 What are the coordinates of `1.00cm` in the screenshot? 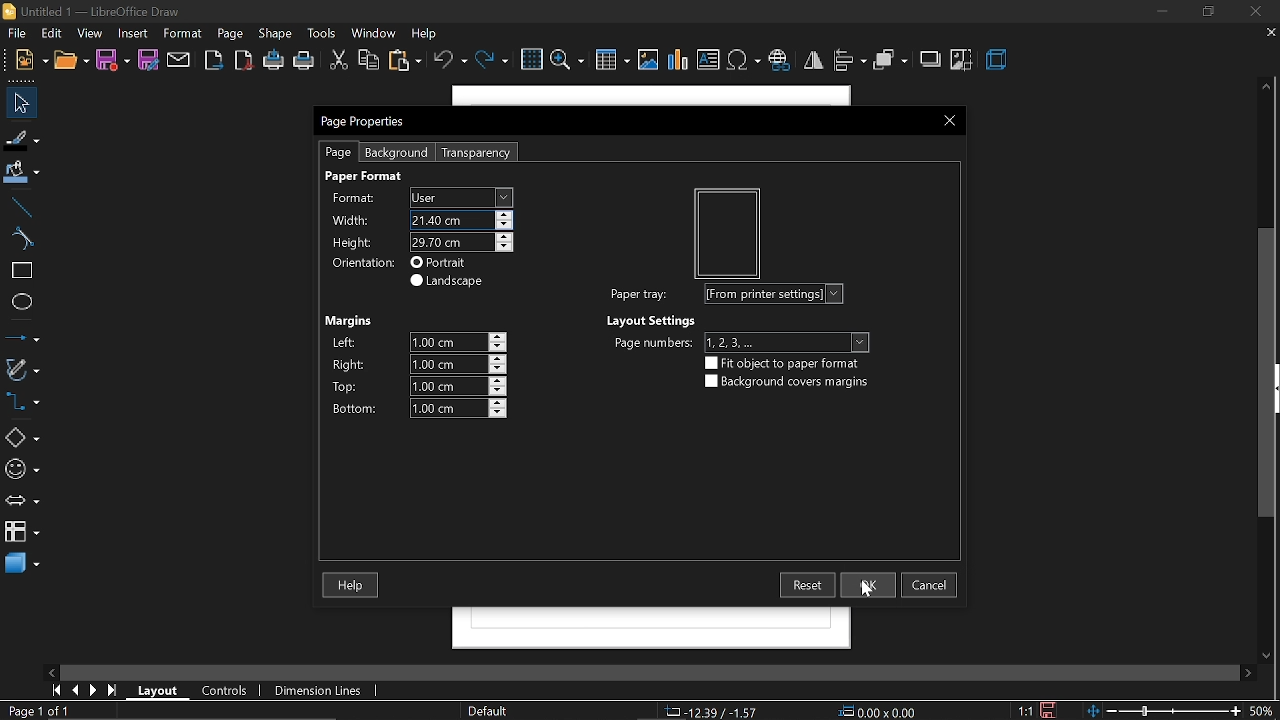 It's located at (456, 344).